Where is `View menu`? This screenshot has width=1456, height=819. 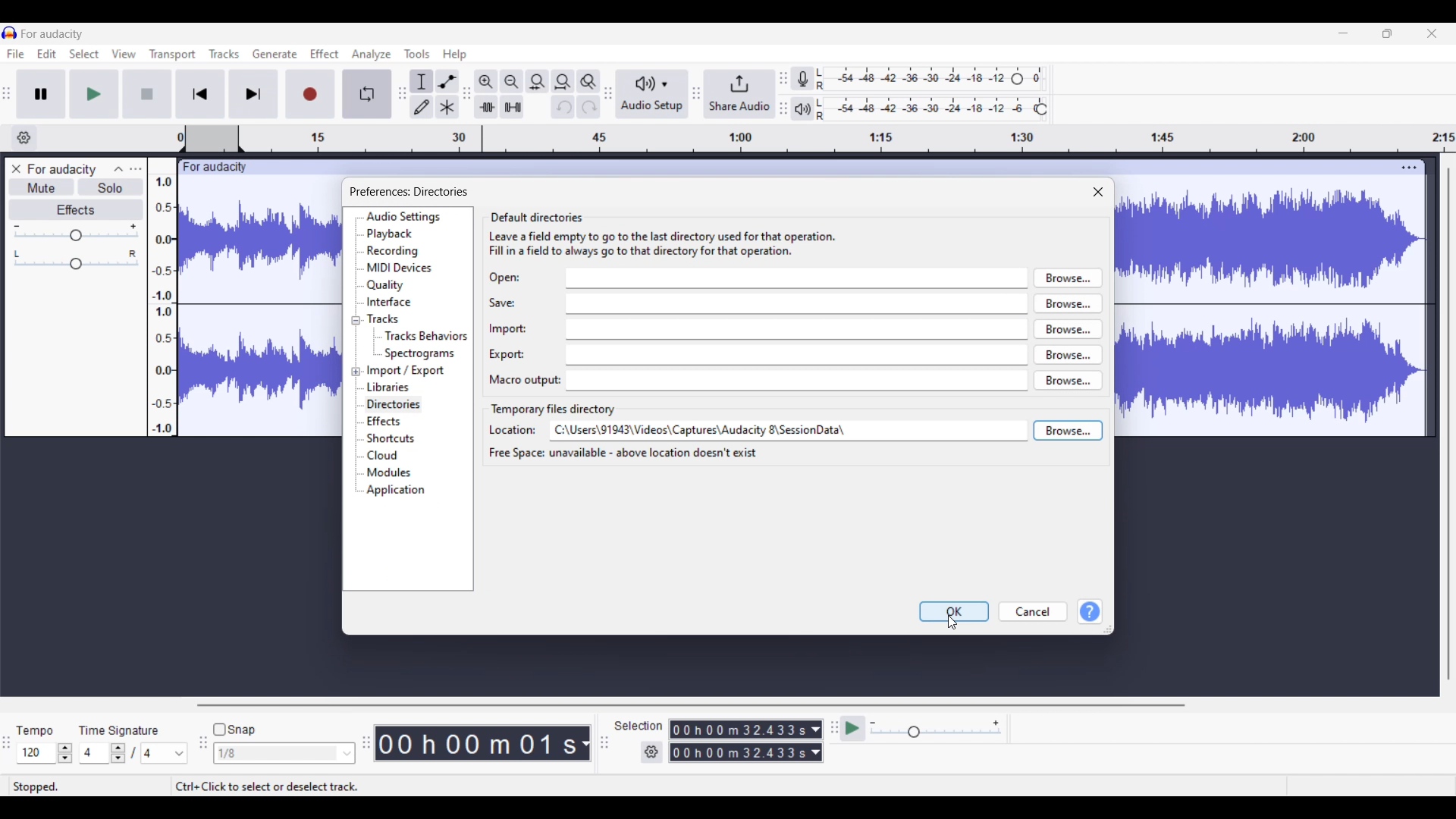
View menu is located at coordinates (124, 54).